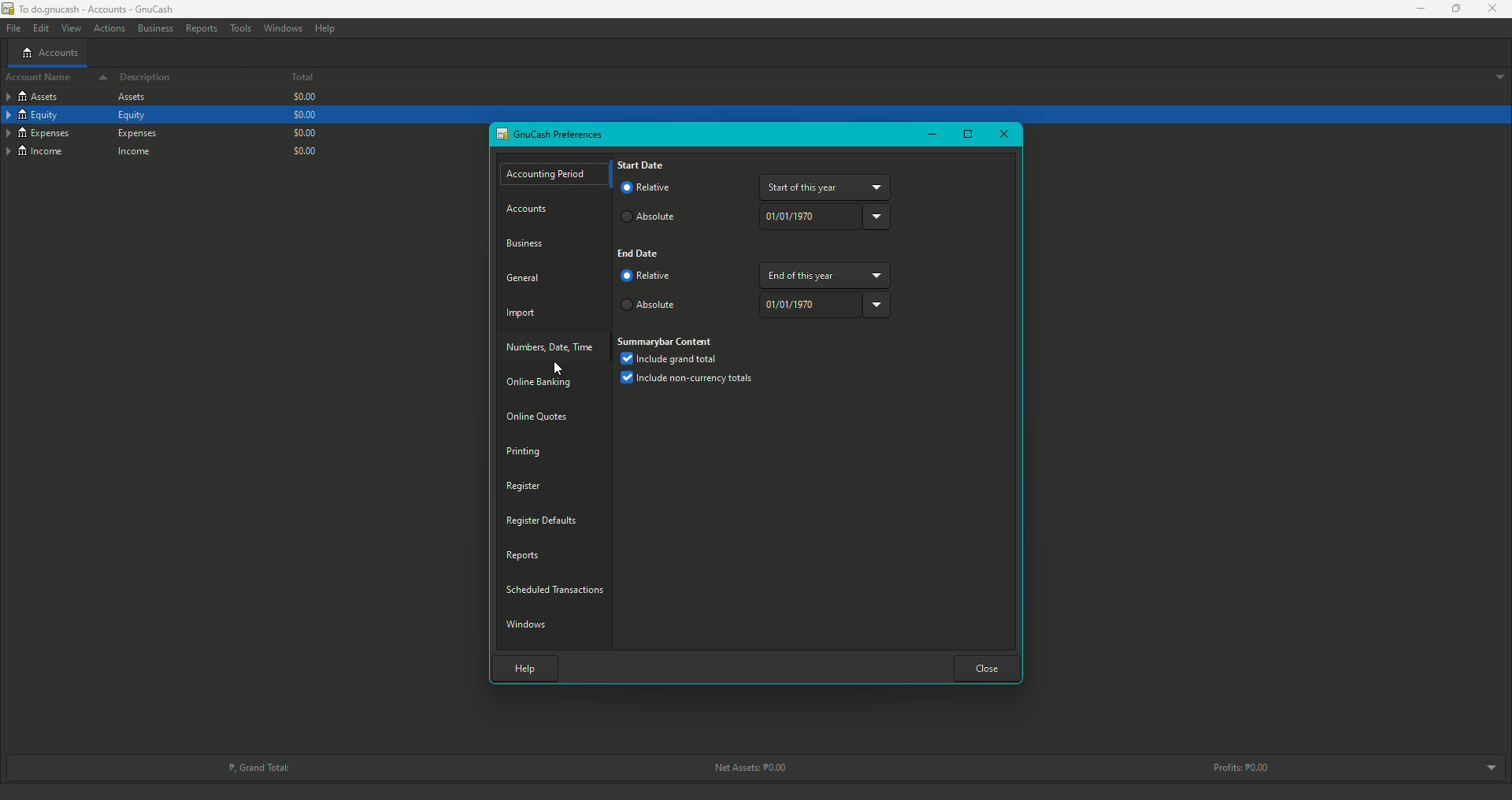 This screenshot has height=800, width=1512. What do you see at coordinates (39, 28) in the screenshot?
I see `Edit` at bounding box center [39, 28].